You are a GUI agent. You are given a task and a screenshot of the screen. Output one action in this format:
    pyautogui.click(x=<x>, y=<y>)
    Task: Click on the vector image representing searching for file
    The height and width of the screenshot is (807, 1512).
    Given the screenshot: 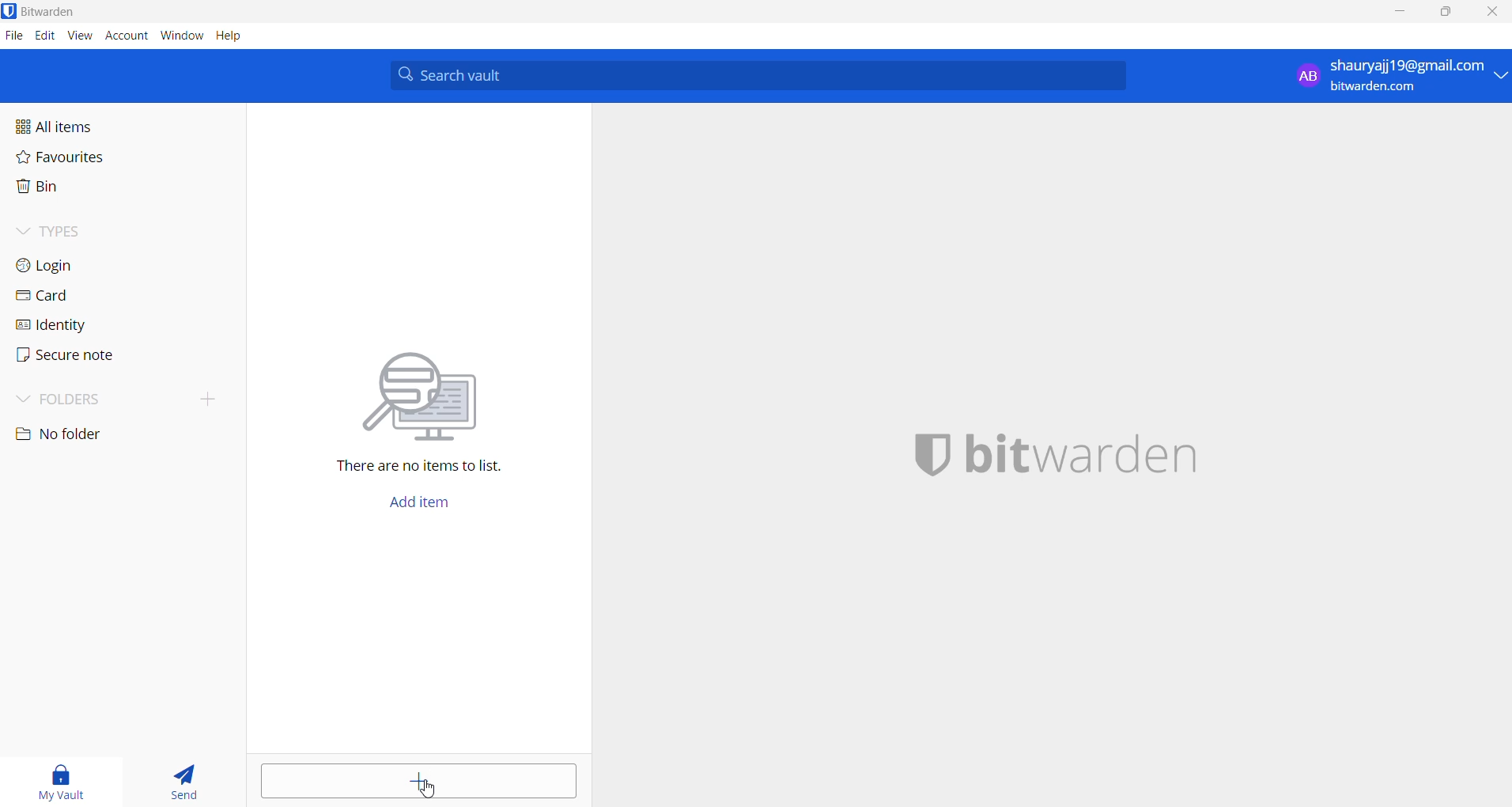 What is the action you would take?
    pyautogui.click(x=430, y=385)
    